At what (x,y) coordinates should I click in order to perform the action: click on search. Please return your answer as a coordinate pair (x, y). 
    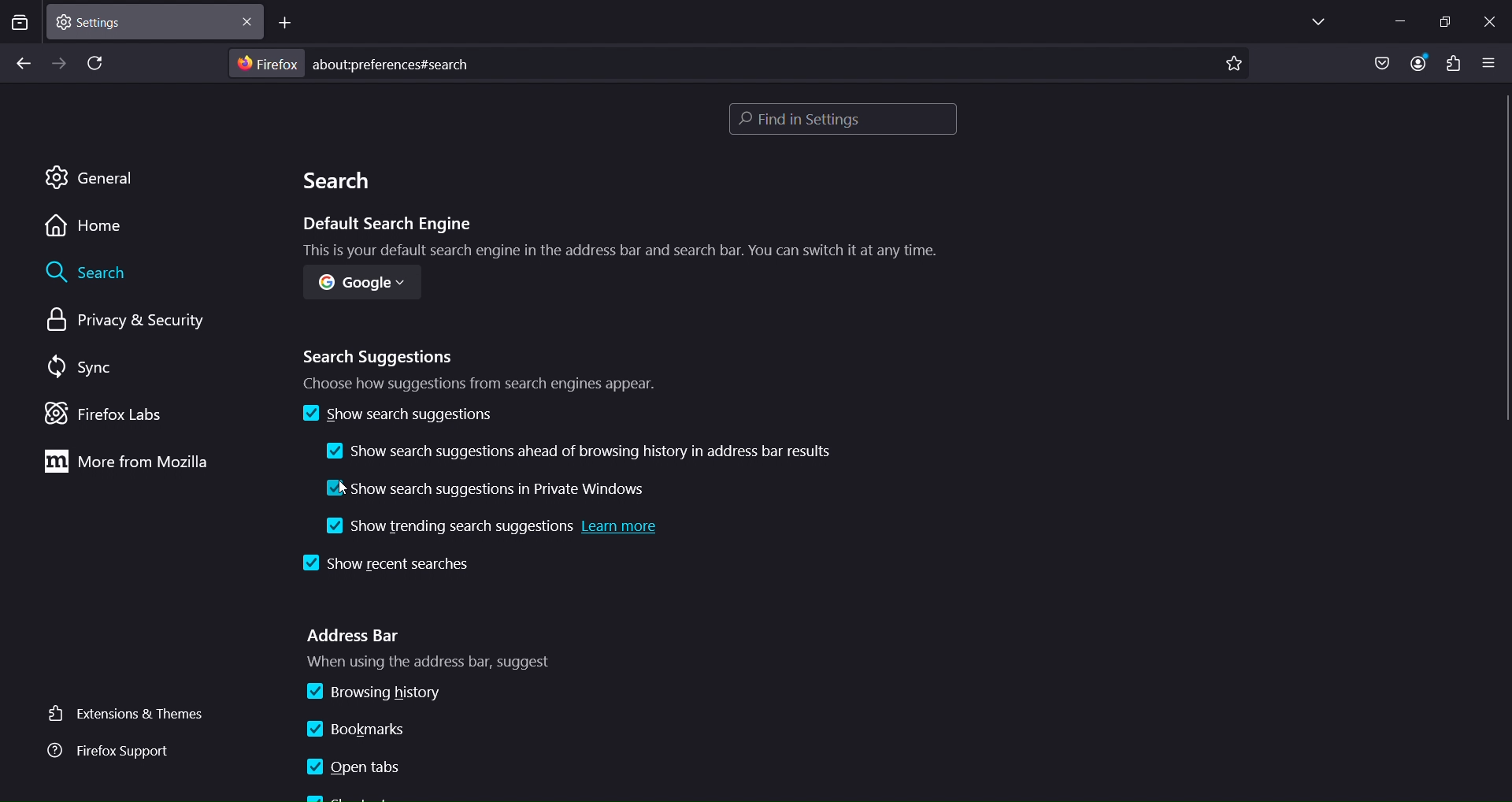
    Looking at the image, I should click on (341, 184).